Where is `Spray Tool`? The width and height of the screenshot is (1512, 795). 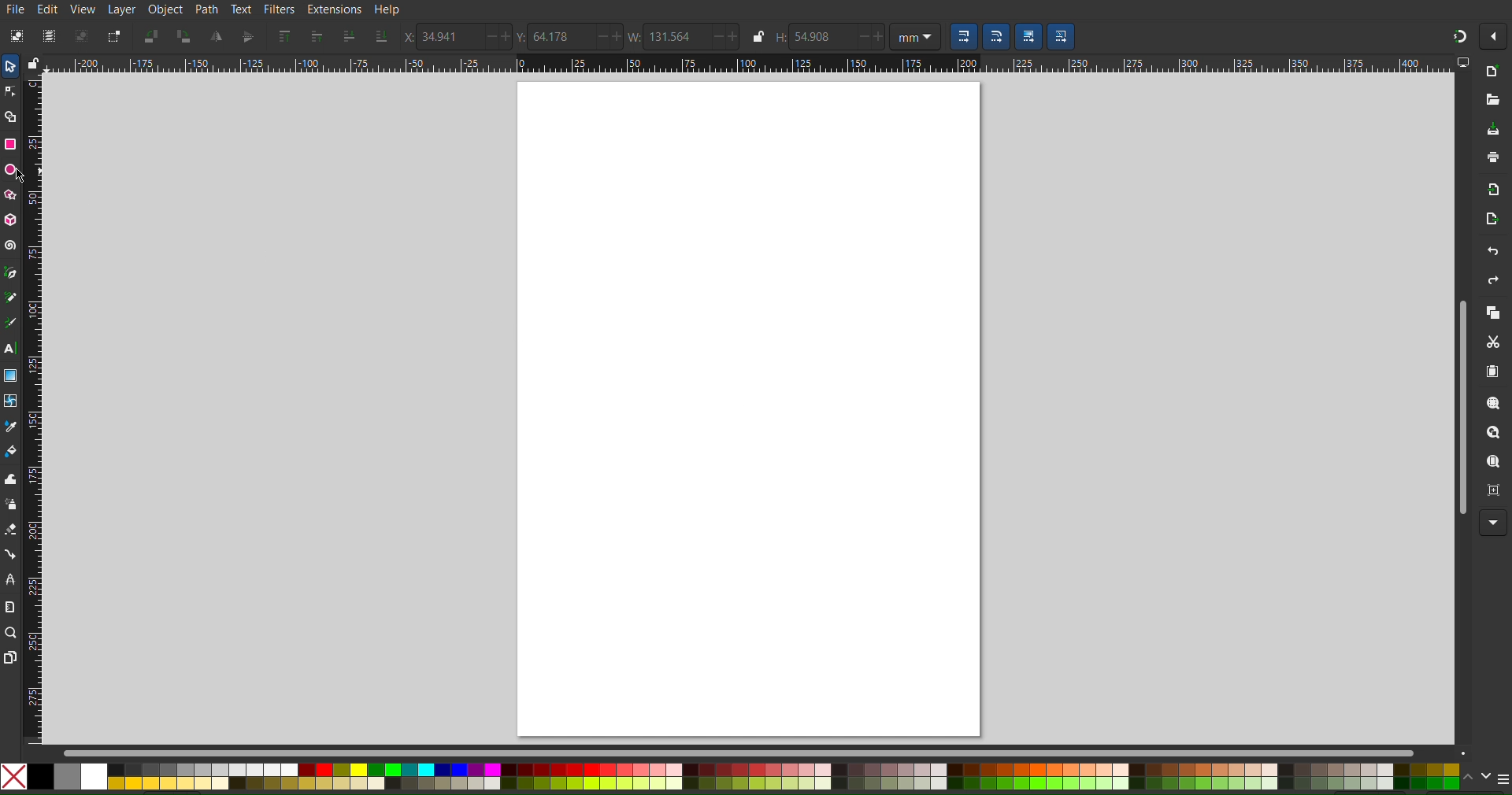
Spray Tool is located at coordinates (10, 531).